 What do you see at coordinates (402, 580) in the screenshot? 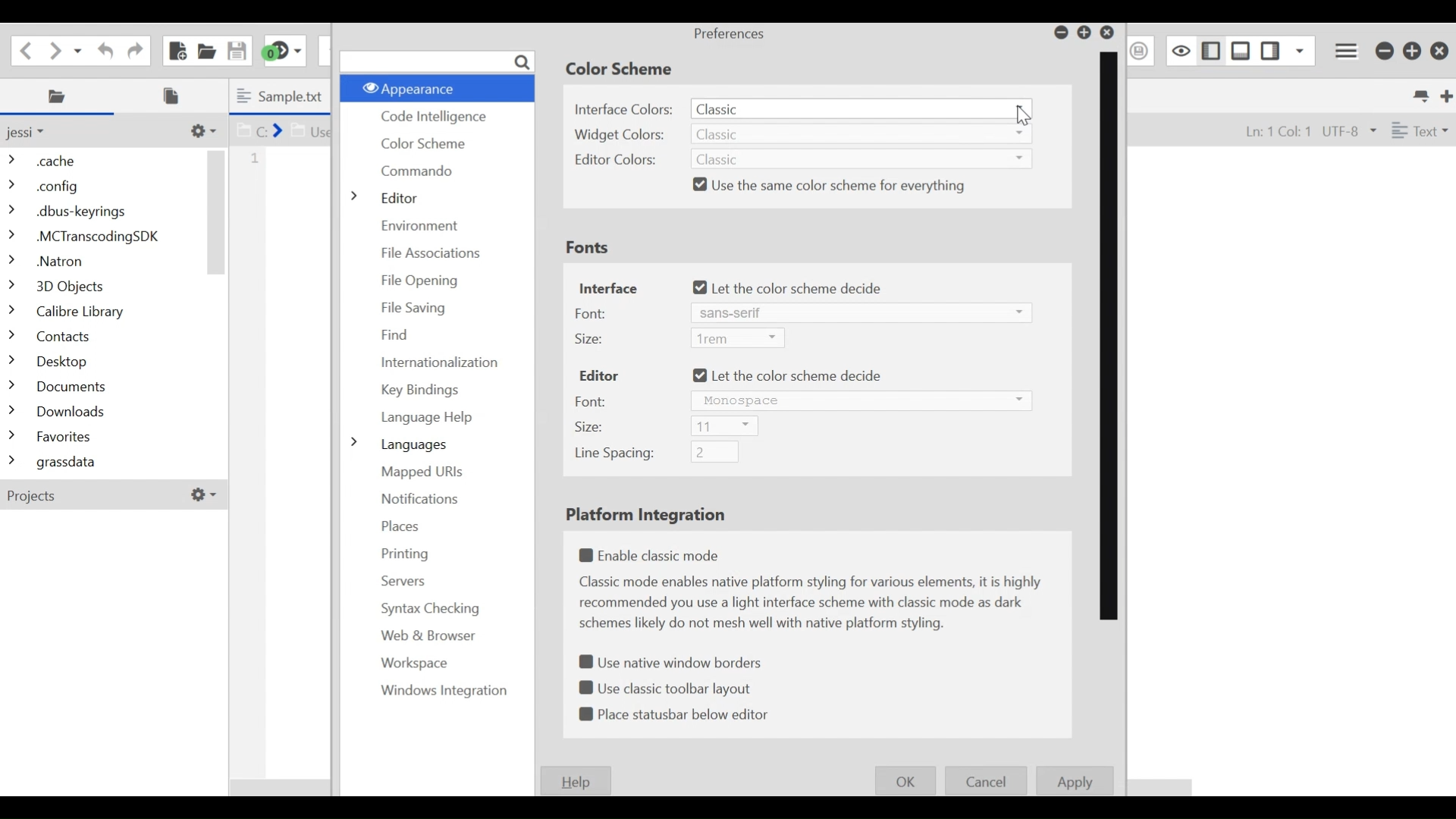
I see `Servers` at bounding box center [402, 580].